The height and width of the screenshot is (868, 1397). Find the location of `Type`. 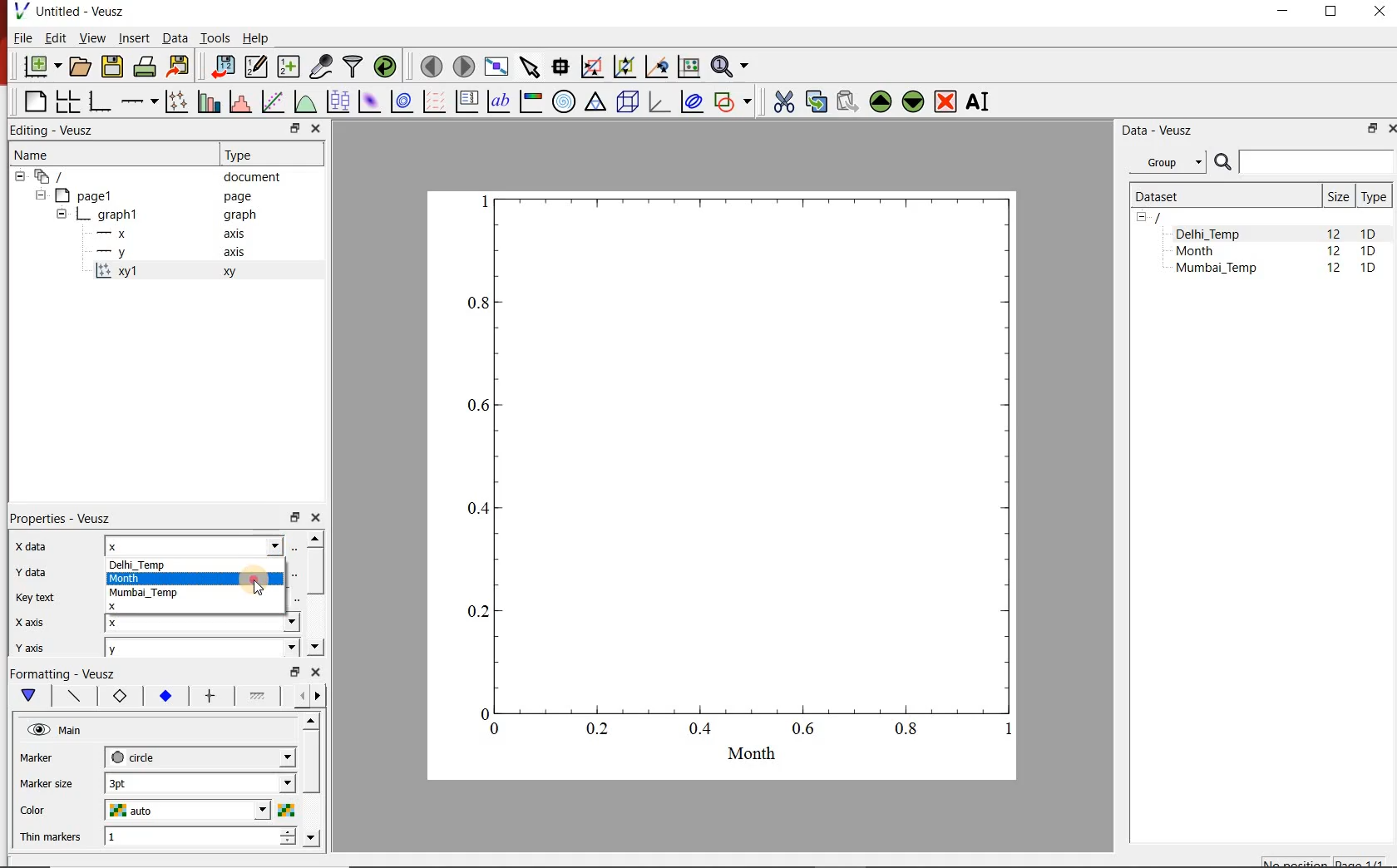

Type is located at coordinates (1374, 196).